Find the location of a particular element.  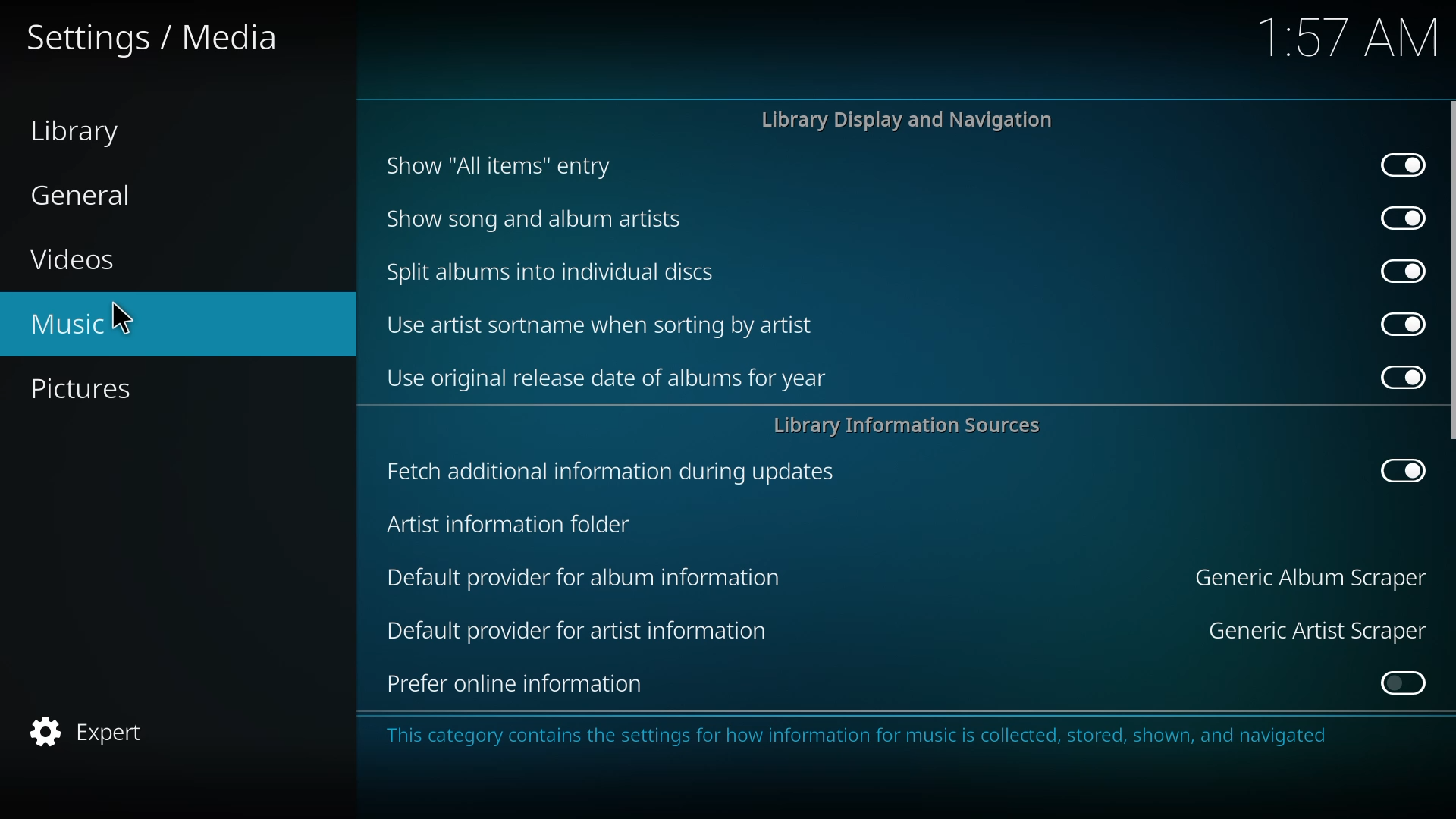

library info sources is located at coordinates (912, 428).